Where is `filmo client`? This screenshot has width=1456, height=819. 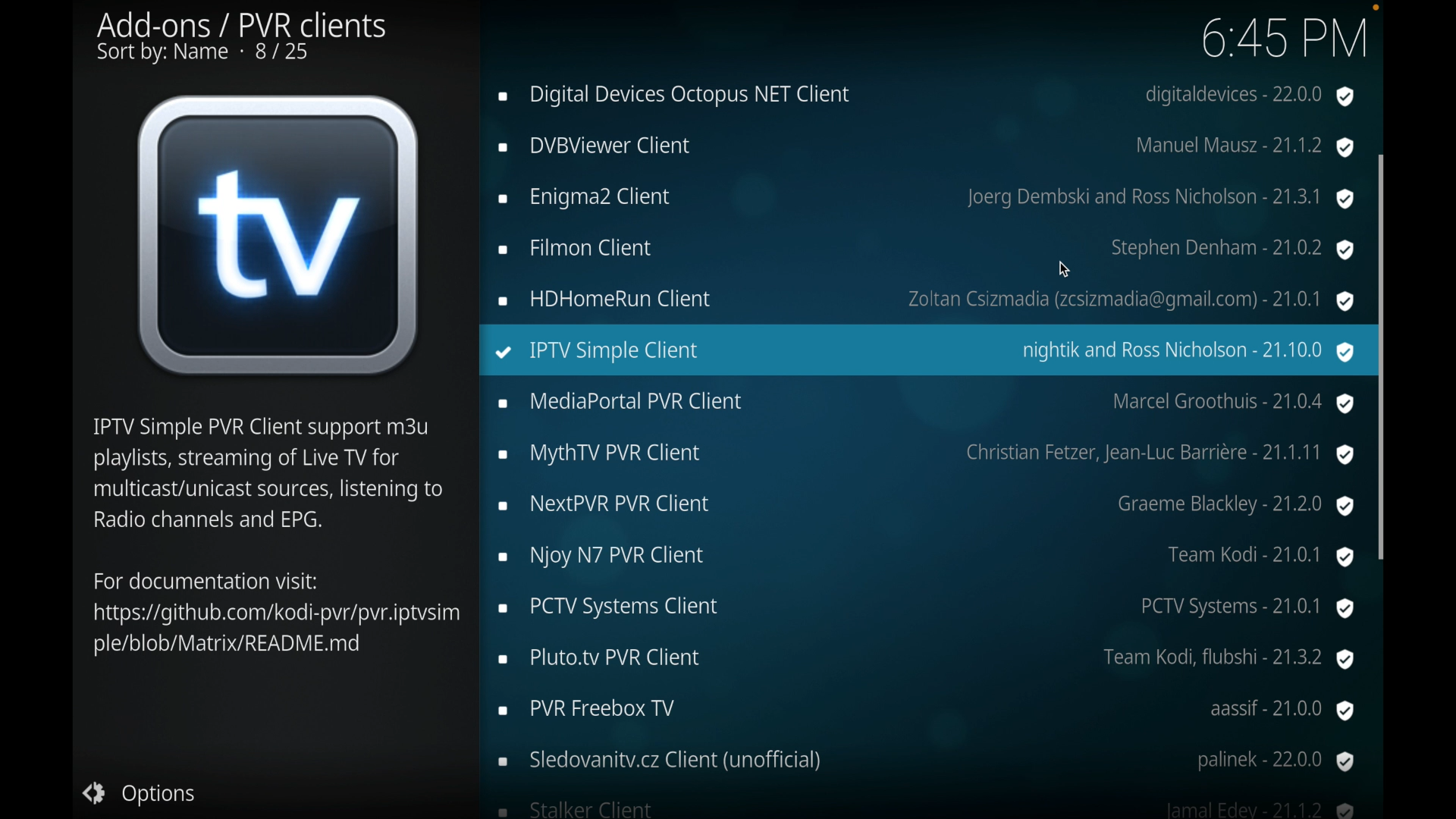 filmo client is located at coordinates (924, 248).